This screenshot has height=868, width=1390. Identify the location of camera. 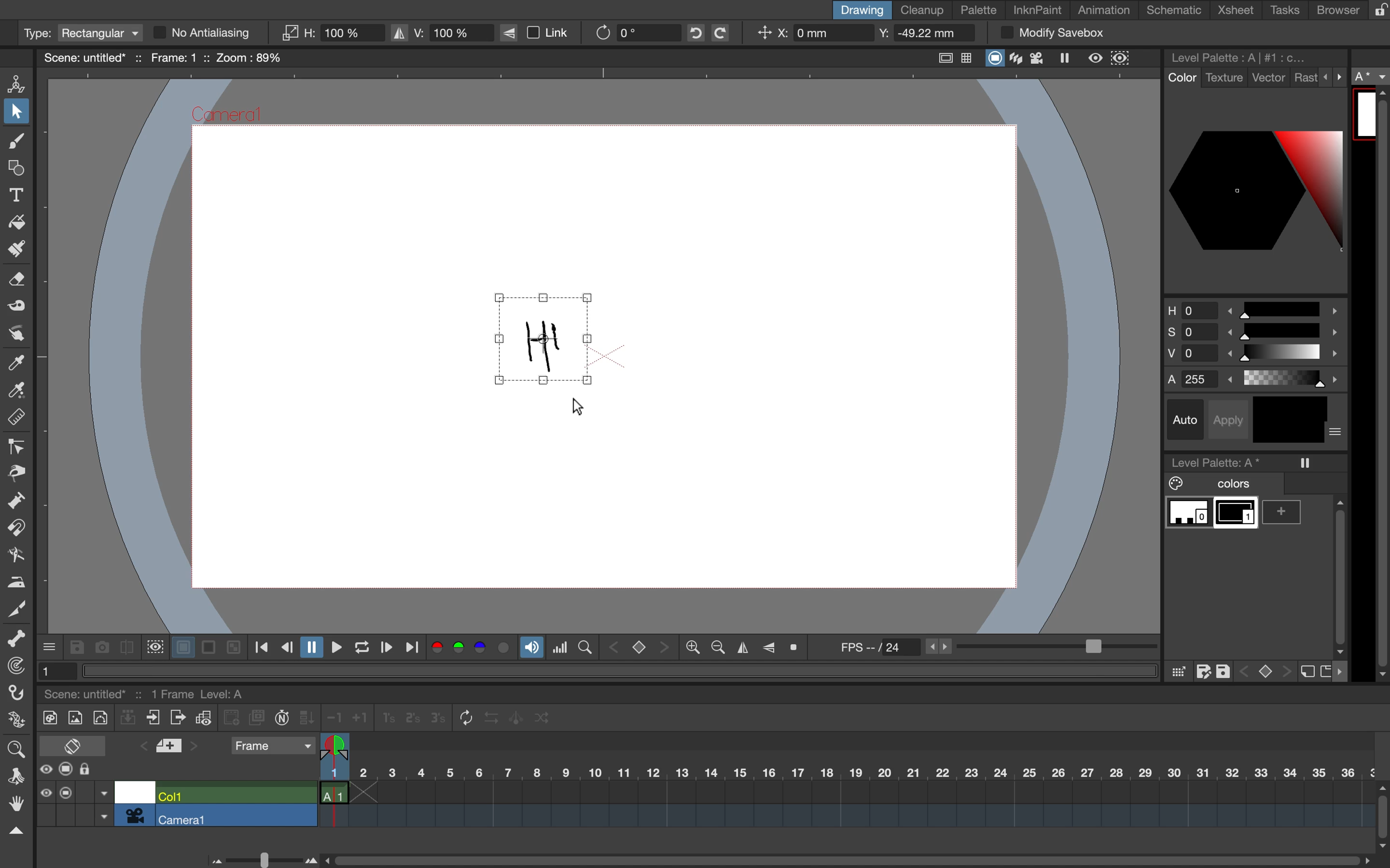
(135, 815).